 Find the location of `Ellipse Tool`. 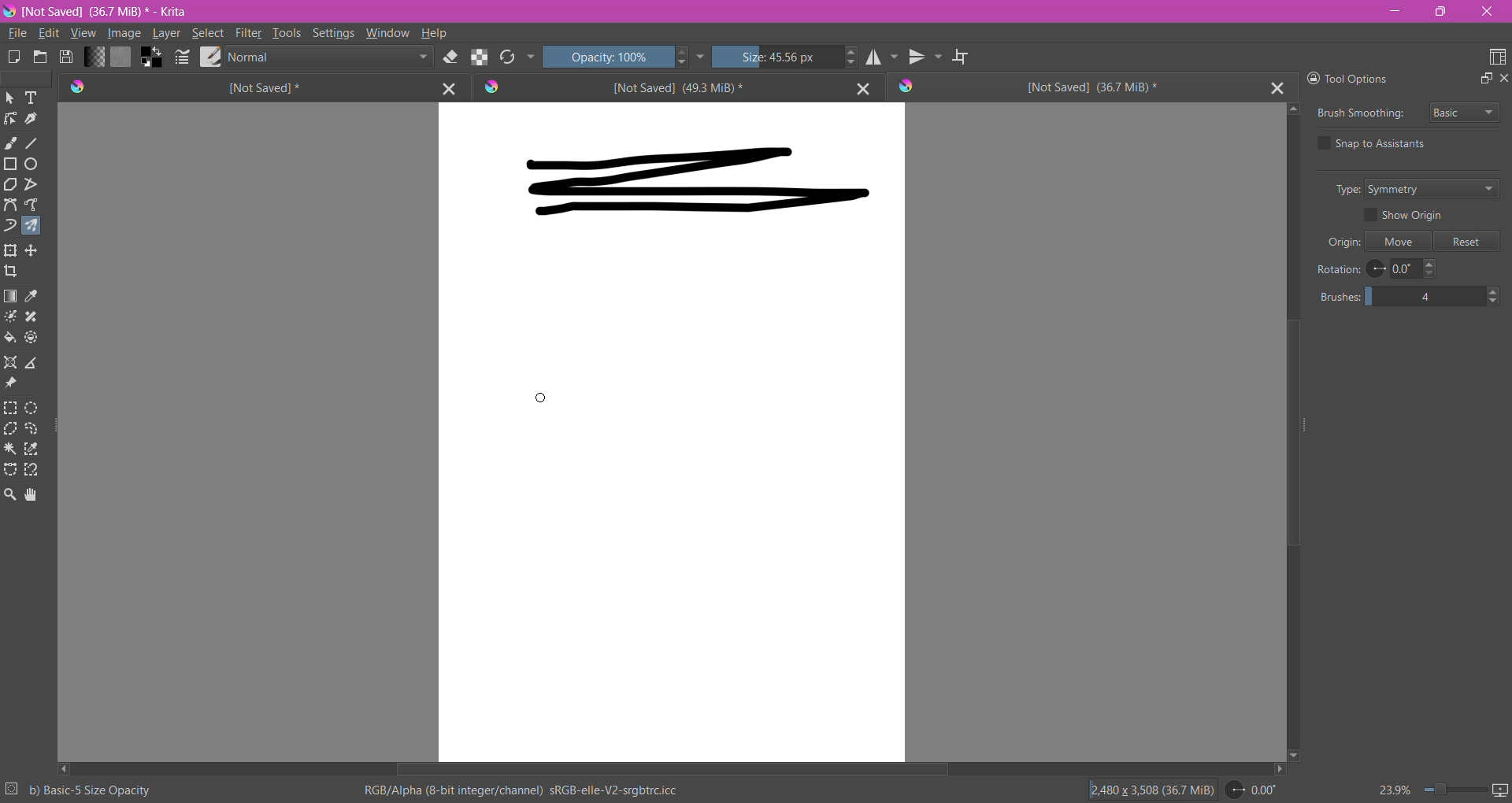

Ellipse Tool is located at coordinates (33, 164).